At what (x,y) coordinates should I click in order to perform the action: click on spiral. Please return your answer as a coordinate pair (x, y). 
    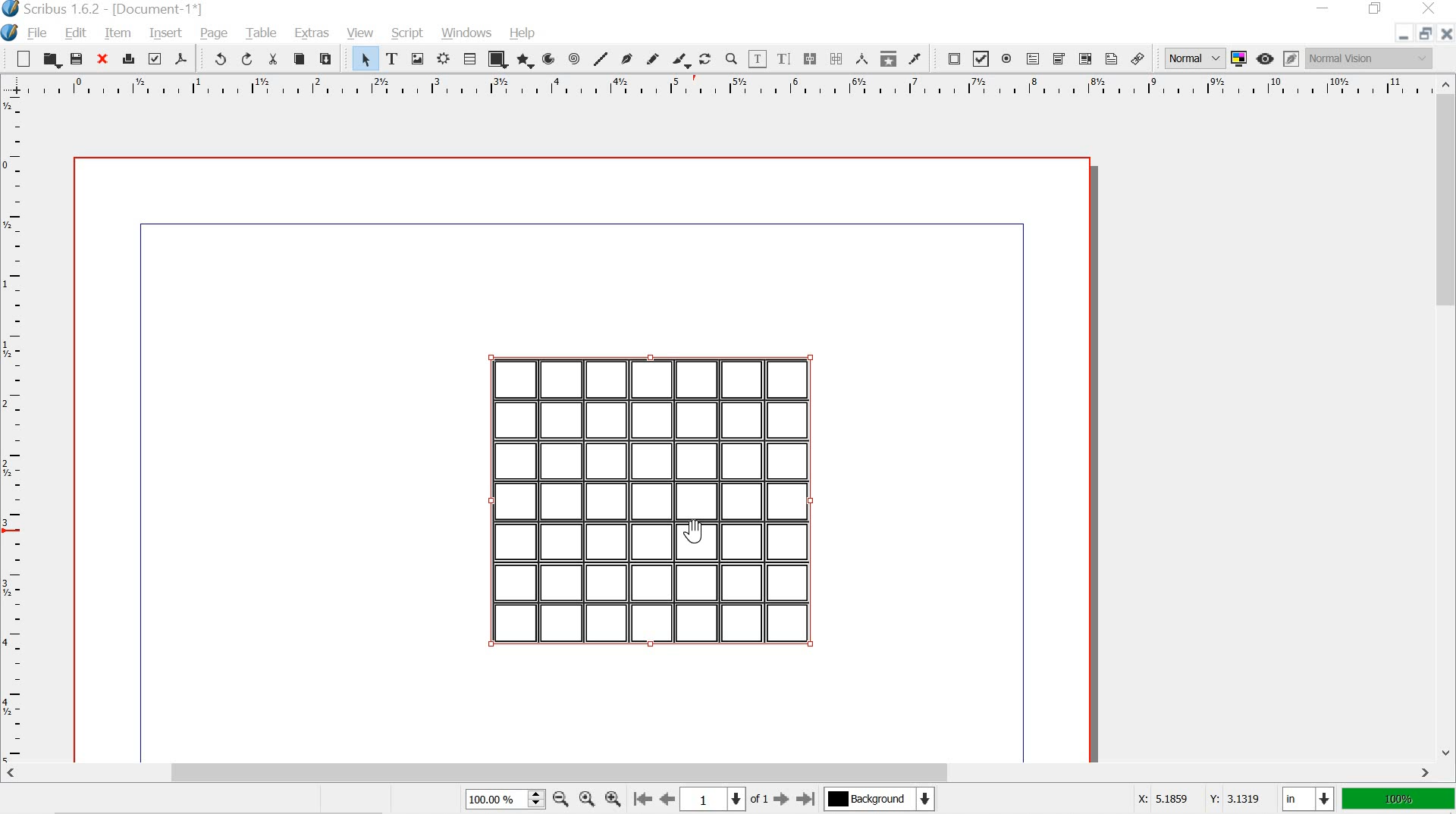
    Looking at the image, I should click on (573, 58).